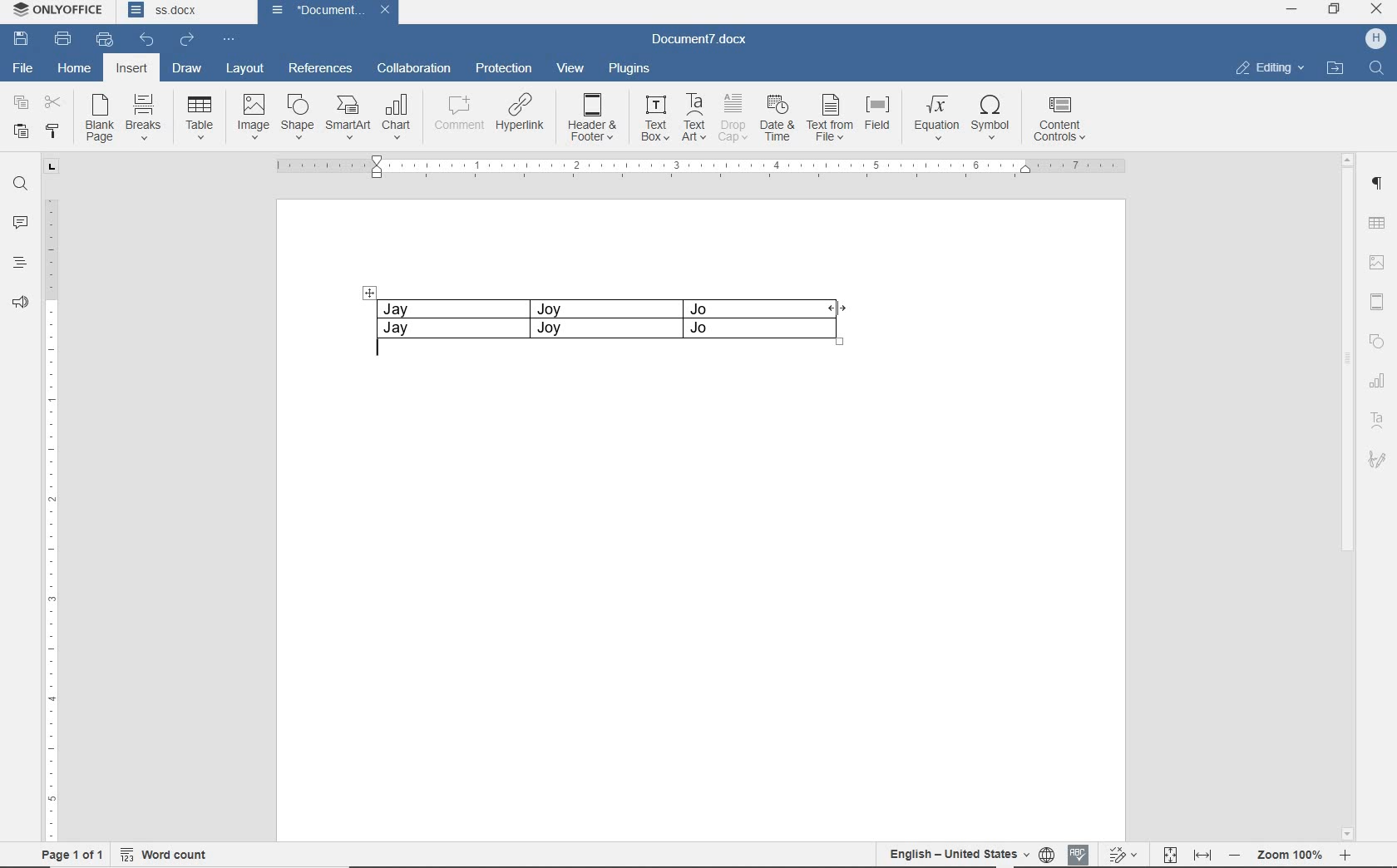 The image size is (1397, 868). I want to click on RULER, so click(705, 167).